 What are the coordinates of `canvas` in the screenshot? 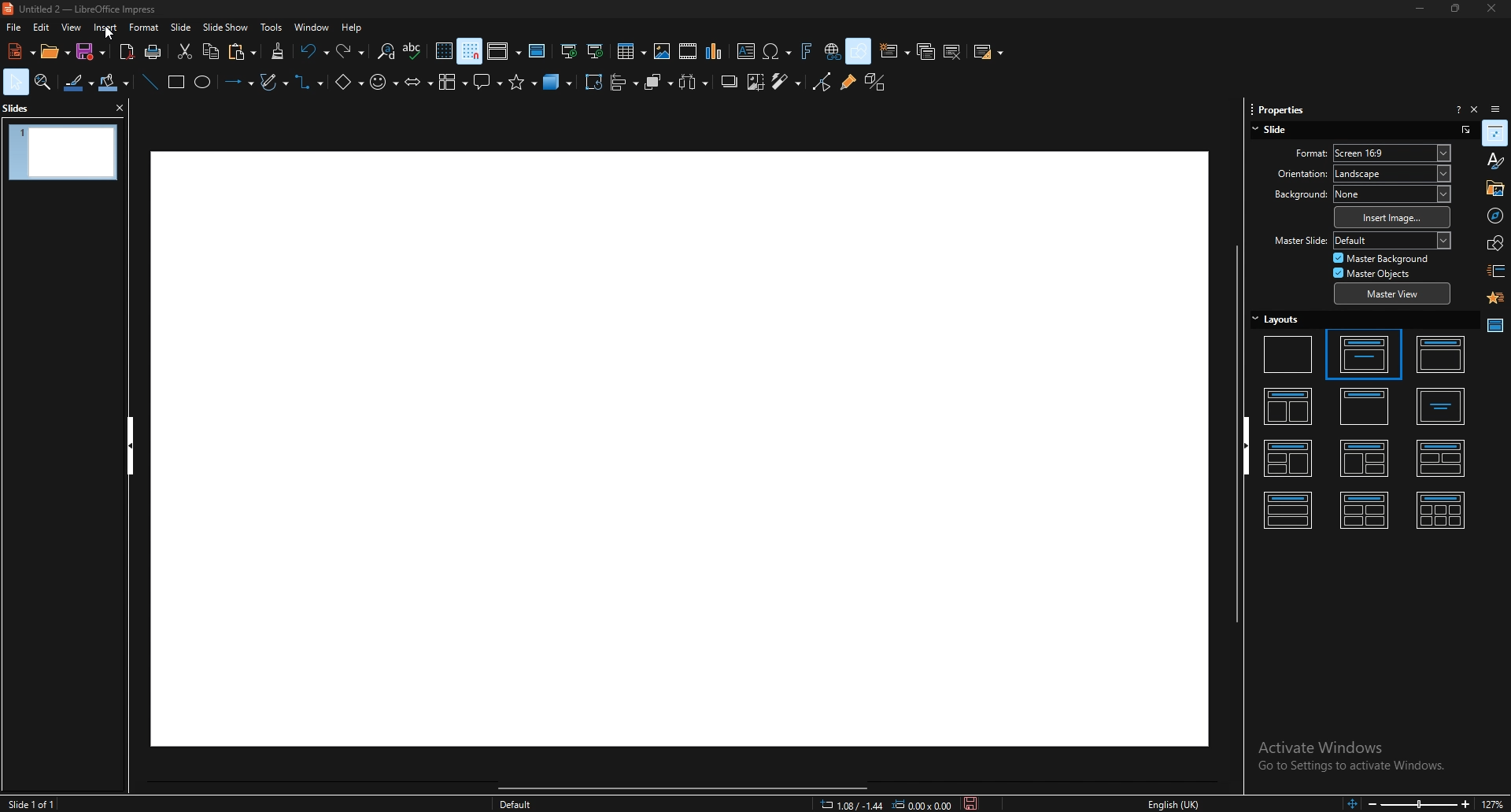 It's located at (678, 449).